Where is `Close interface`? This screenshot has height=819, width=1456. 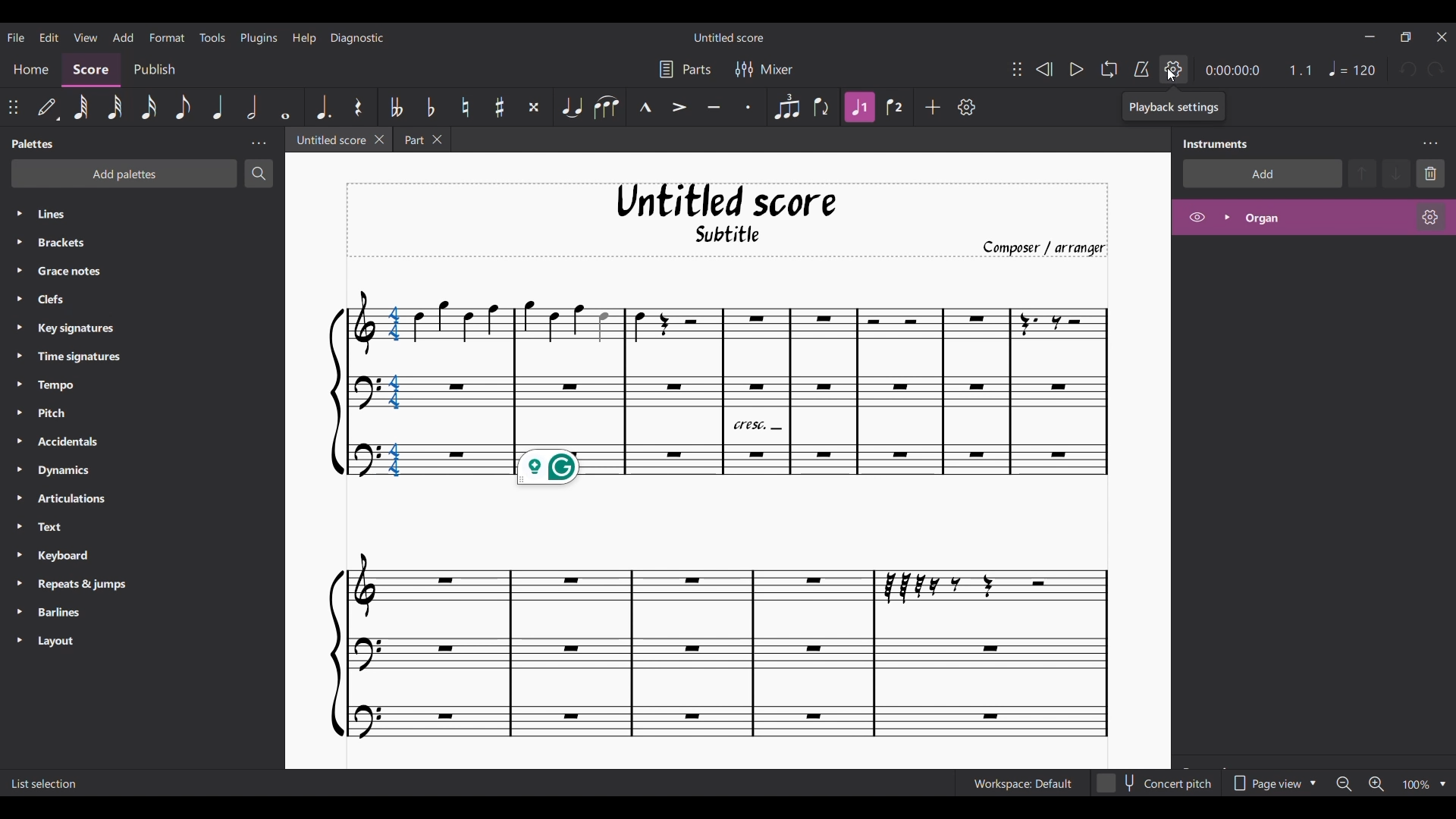
Close interface is located at coordinates (1442, 37).